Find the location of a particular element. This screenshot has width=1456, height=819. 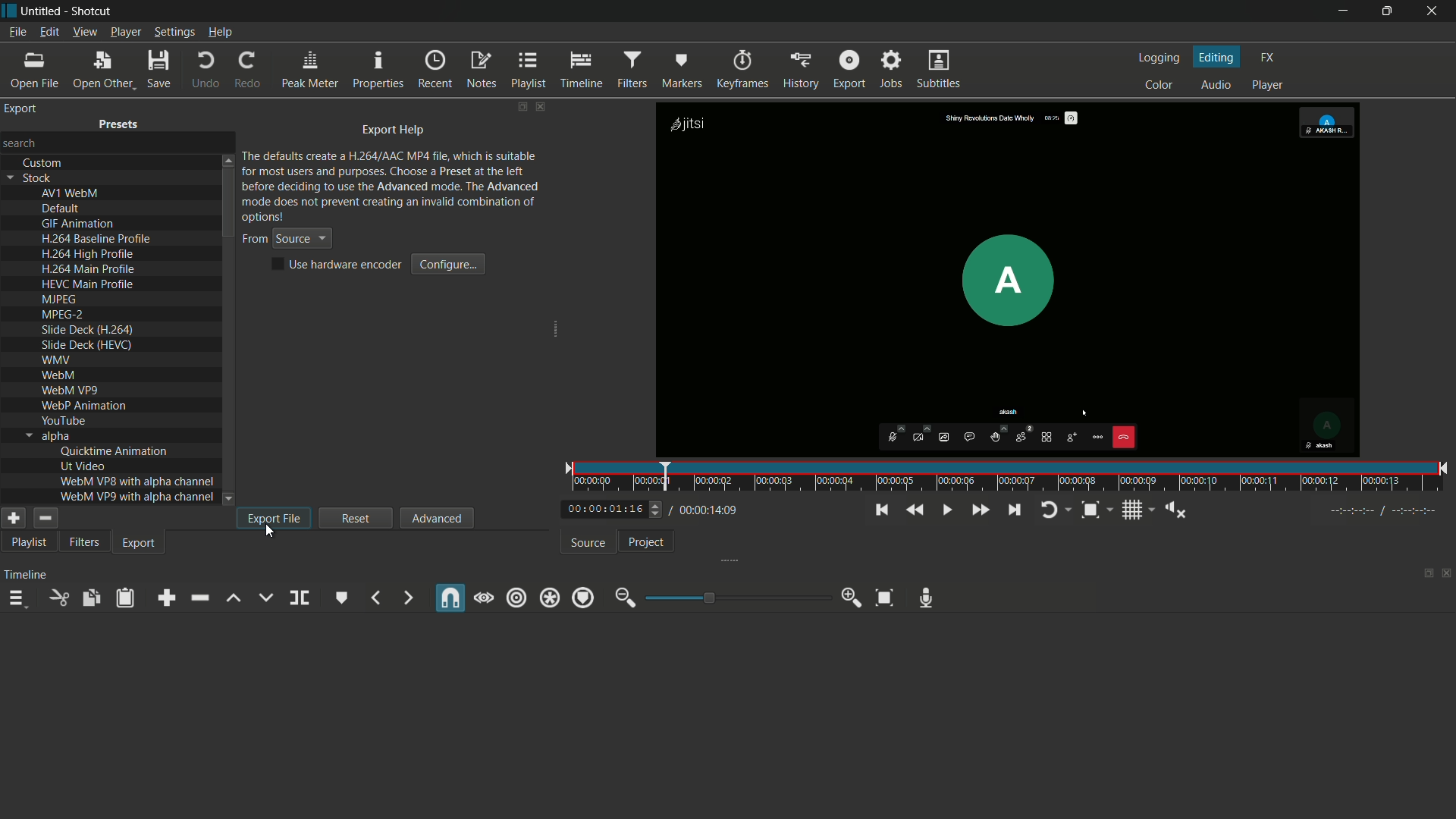

scrub while dragging is located at coordinates (483, 598).